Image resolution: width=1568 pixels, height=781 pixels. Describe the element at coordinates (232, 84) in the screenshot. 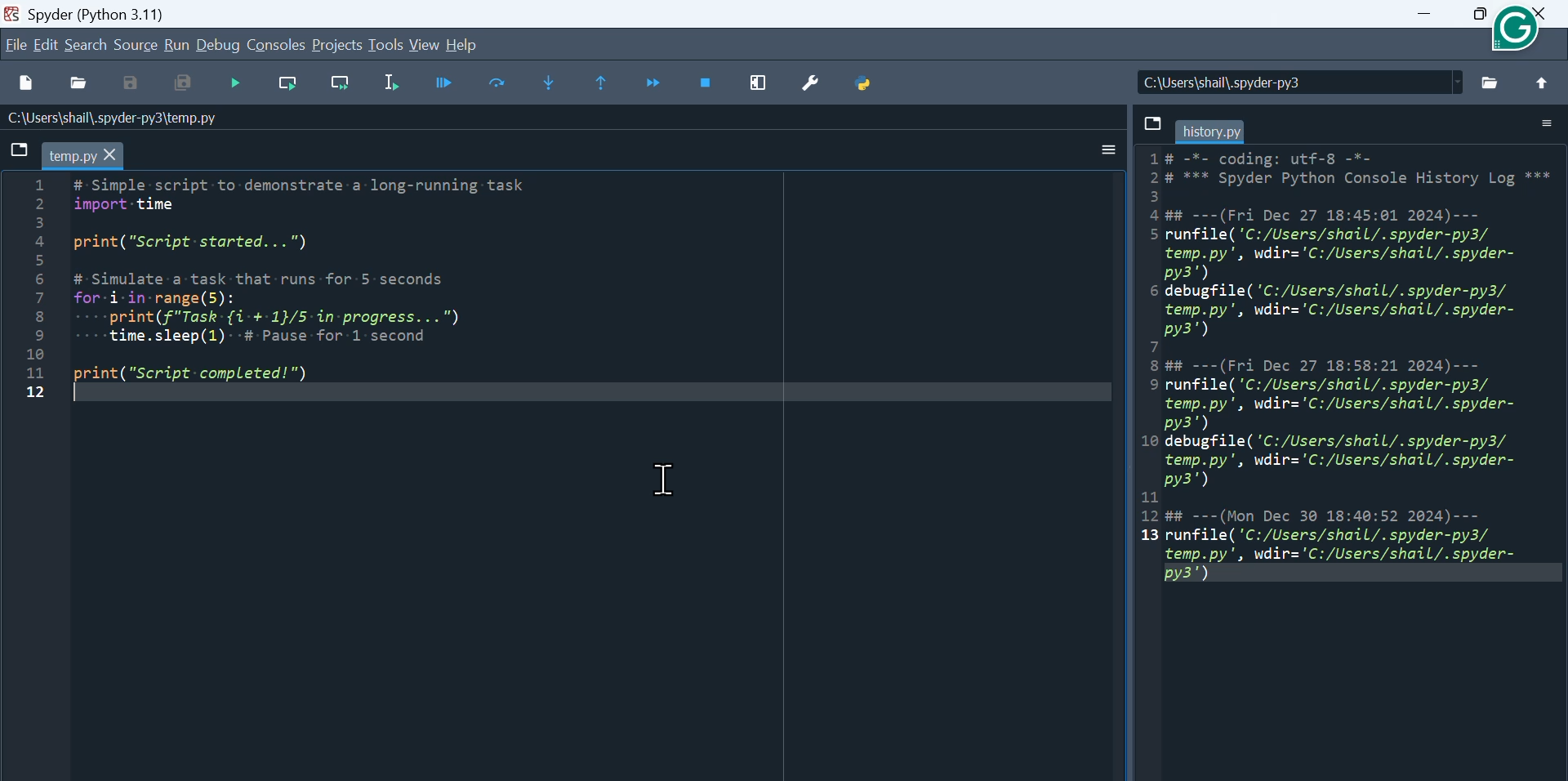

I see `Debug file` at that location.